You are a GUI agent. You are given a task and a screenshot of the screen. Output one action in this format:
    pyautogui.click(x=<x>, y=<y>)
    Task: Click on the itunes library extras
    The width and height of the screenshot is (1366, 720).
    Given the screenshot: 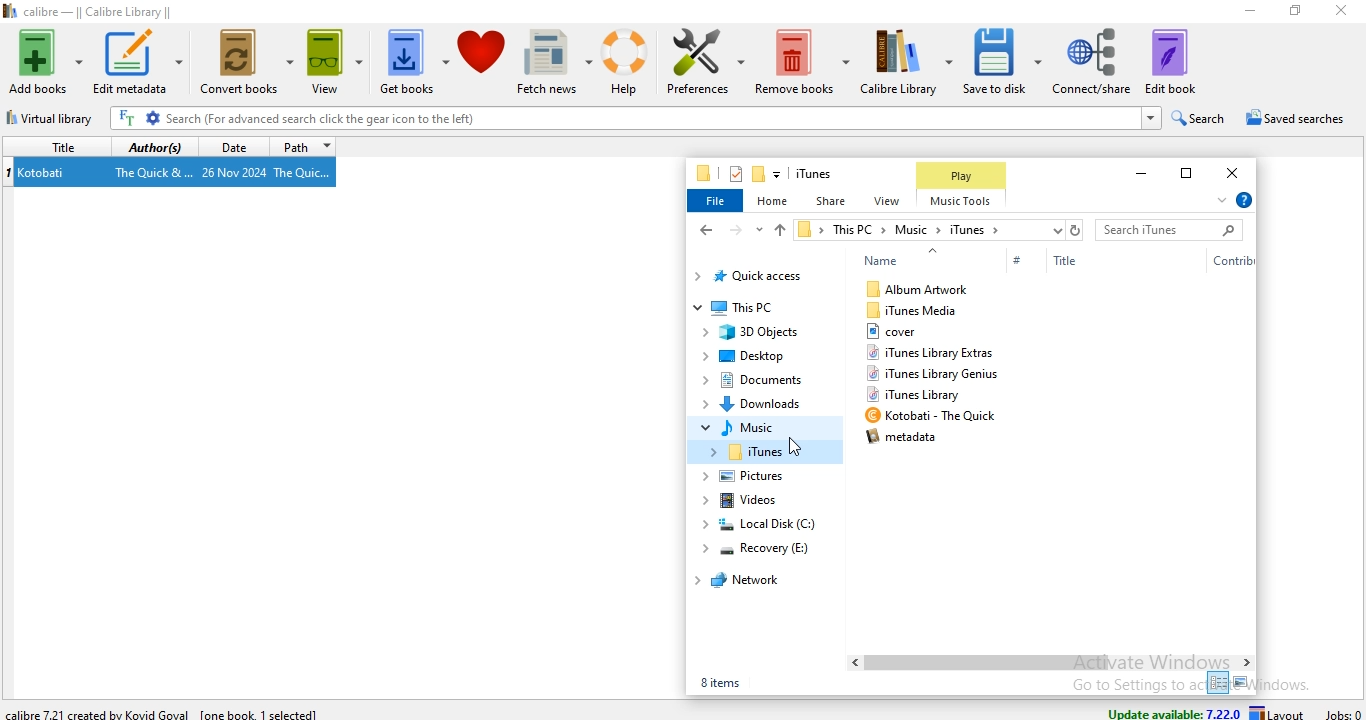 What is the action you would take?
    pyautogui.click(x=932, y=333)
    